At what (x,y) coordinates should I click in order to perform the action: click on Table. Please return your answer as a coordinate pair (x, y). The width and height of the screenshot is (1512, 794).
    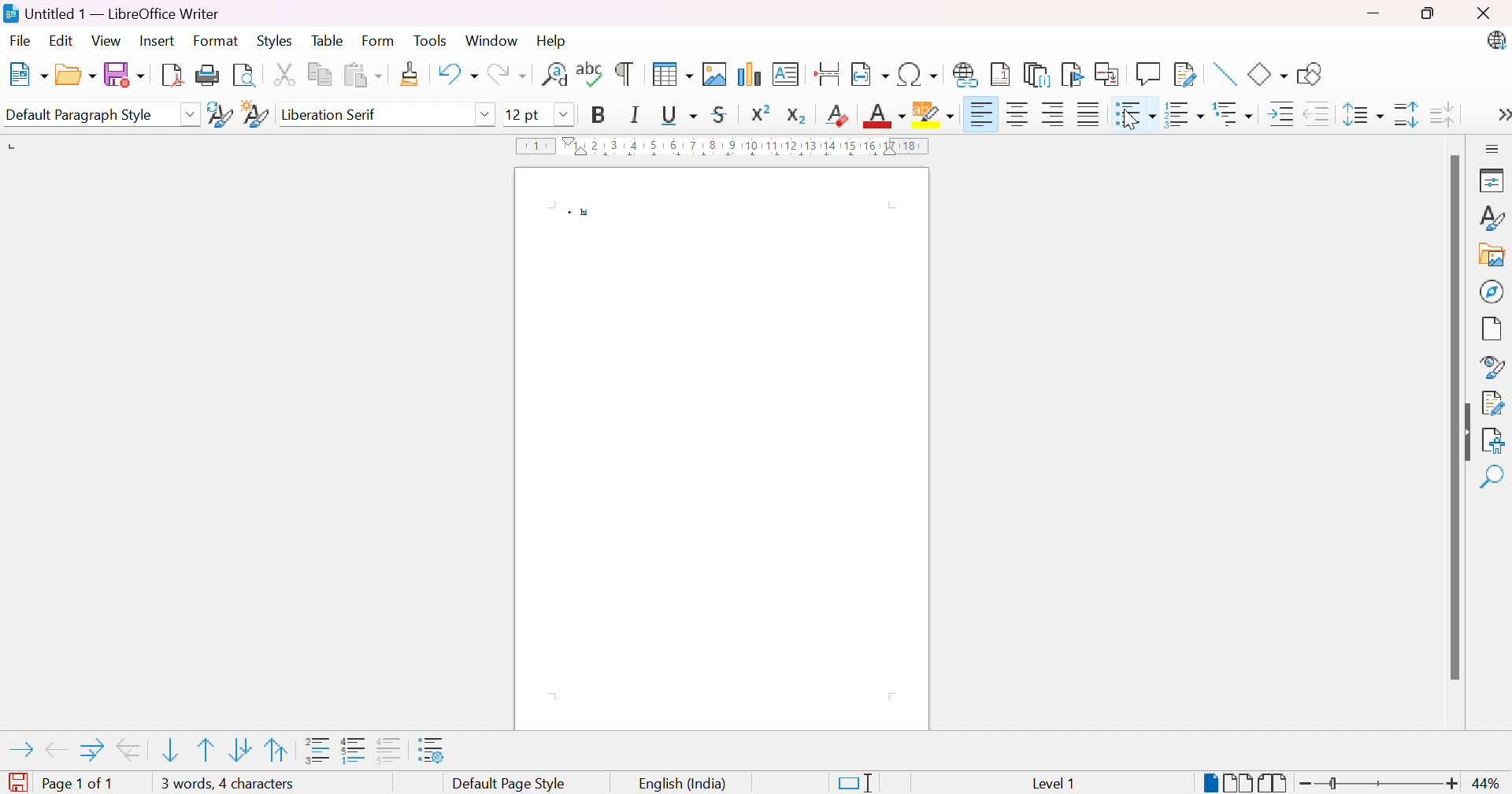
    Looking at the image, I should click on (328, 39).